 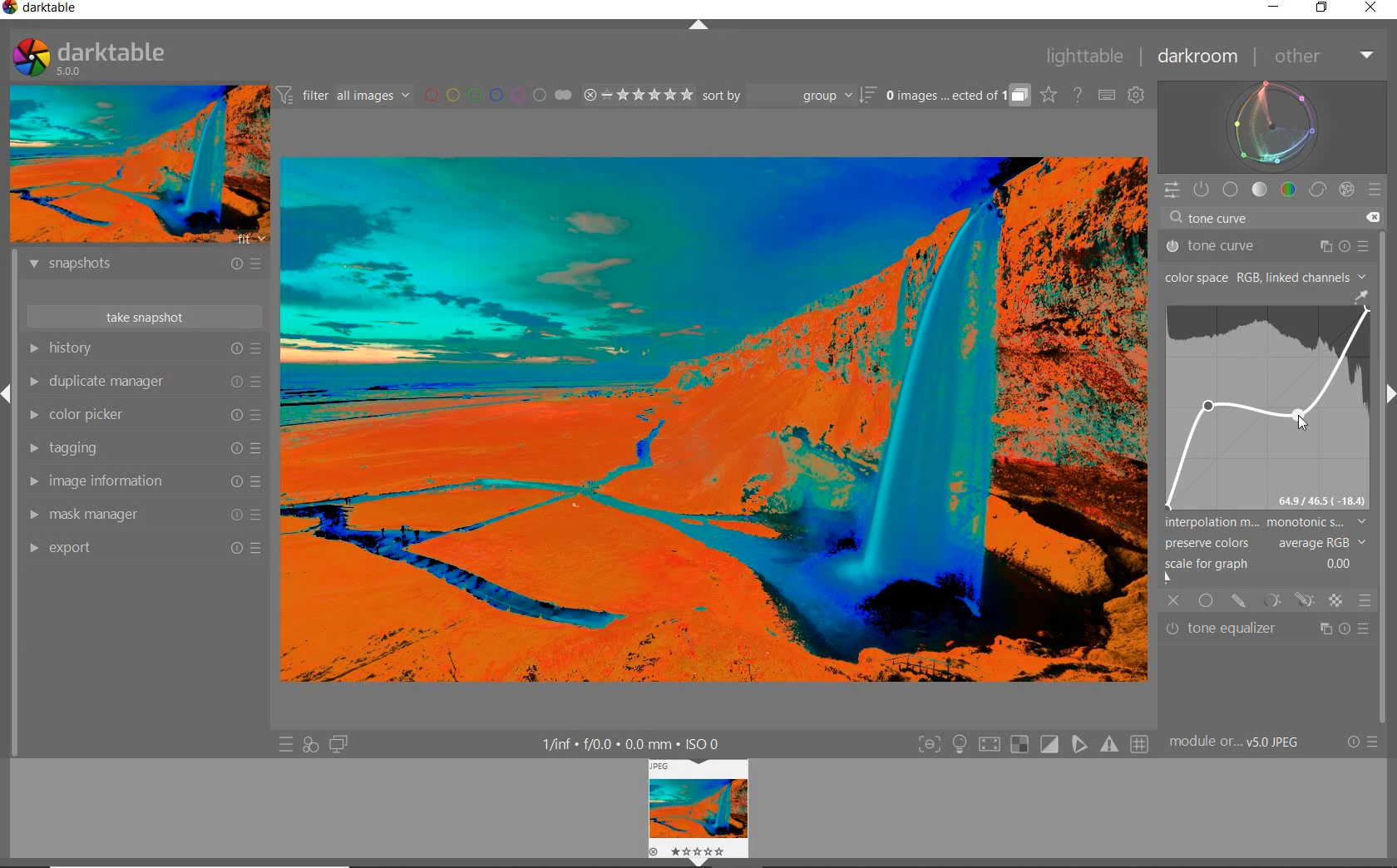 What do you see at coordinates (1271, 248) in the screenshot?
I see `tone curve` at bounding box center [1271, 248].